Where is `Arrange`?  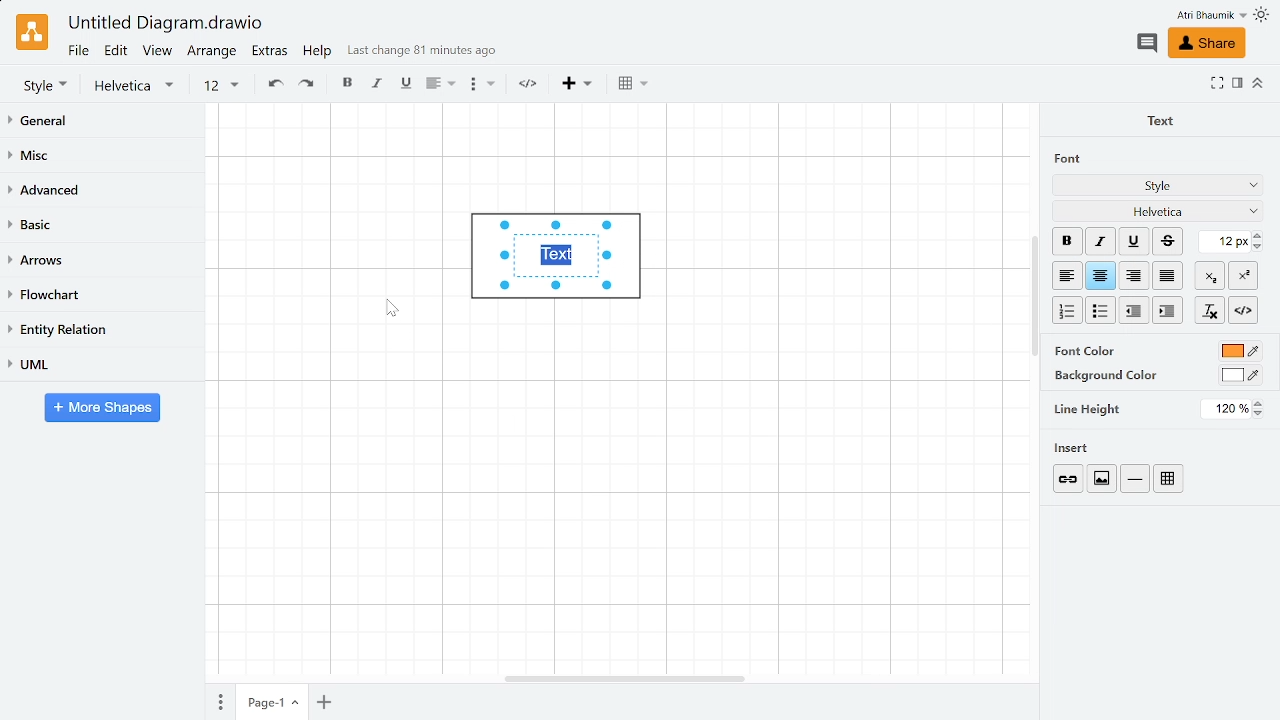
Arrange is located at coordinates (213, 53).